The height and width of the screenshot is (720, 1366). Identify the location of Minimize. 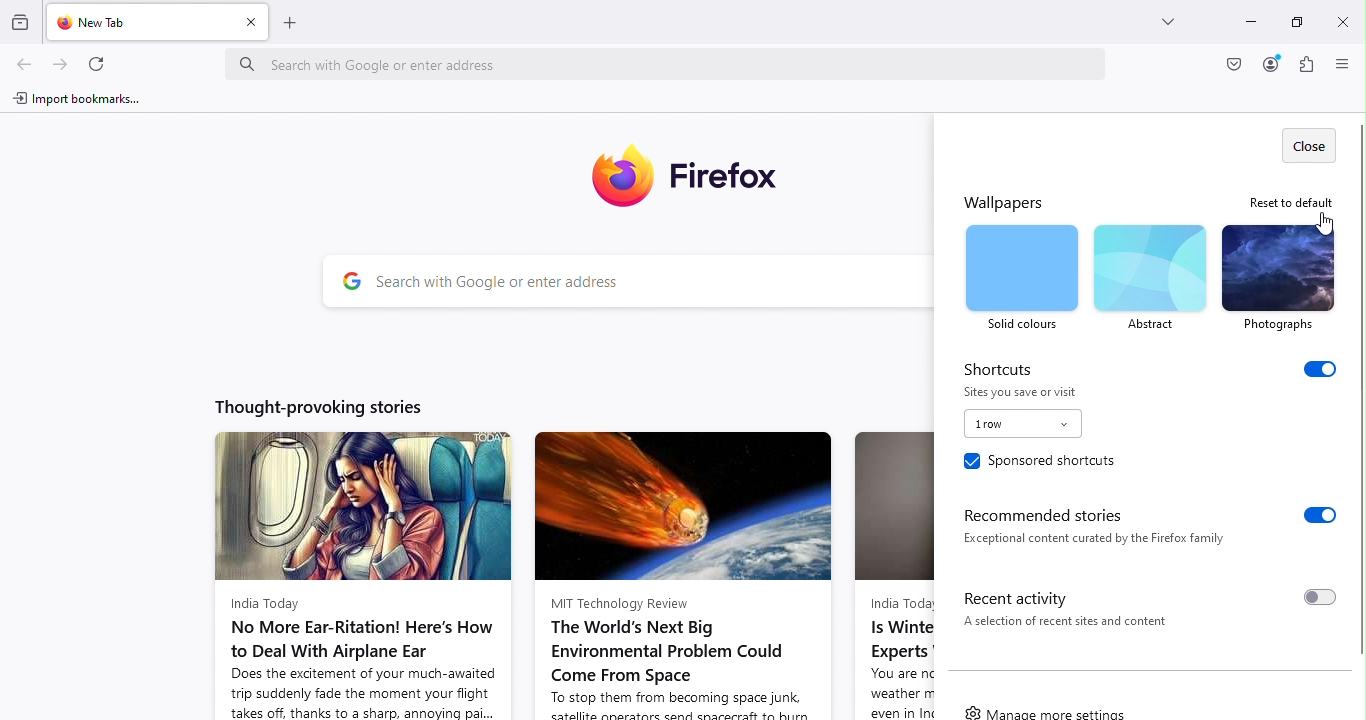
(1251, 21).